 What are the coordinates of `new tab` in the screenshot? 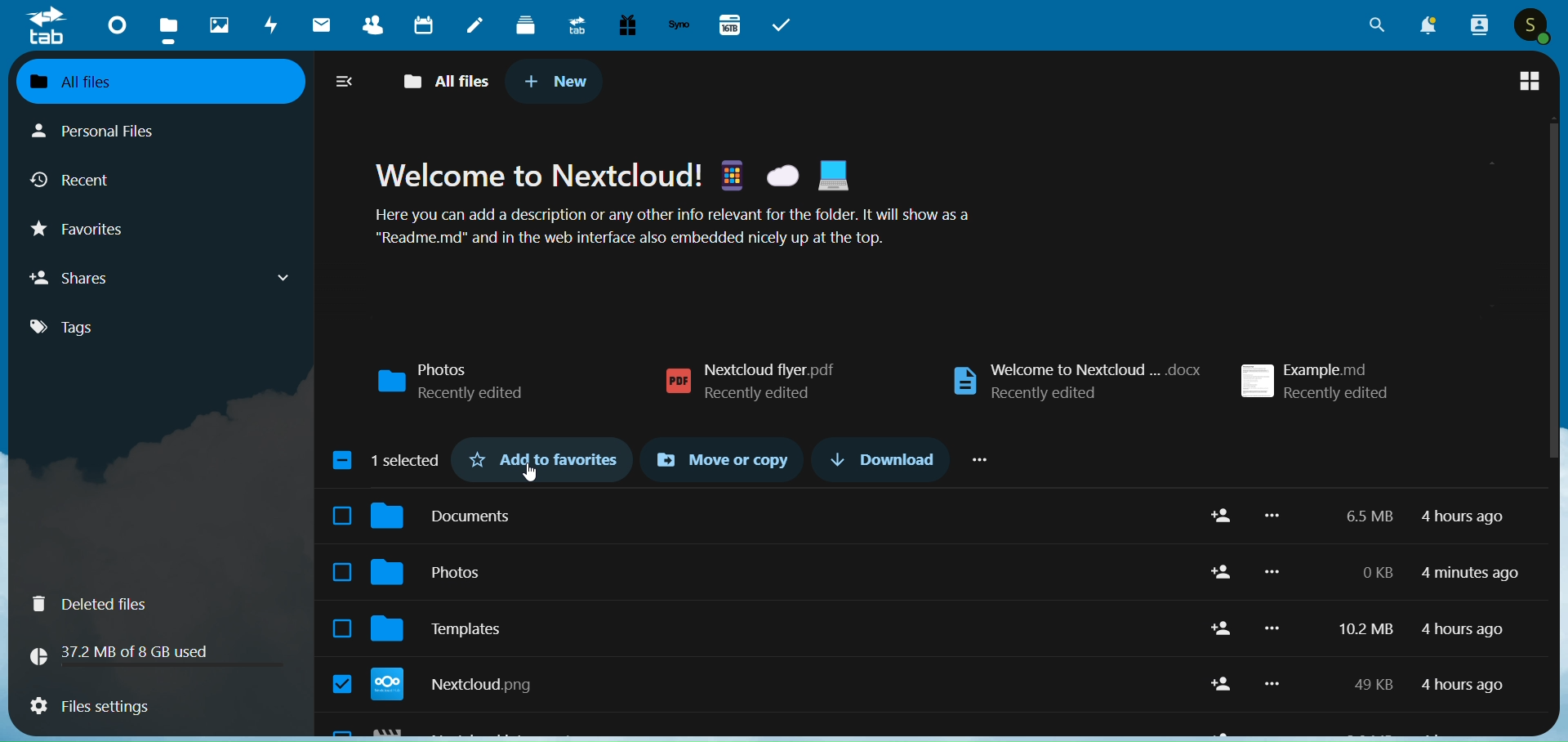 It's located at (558, 83).